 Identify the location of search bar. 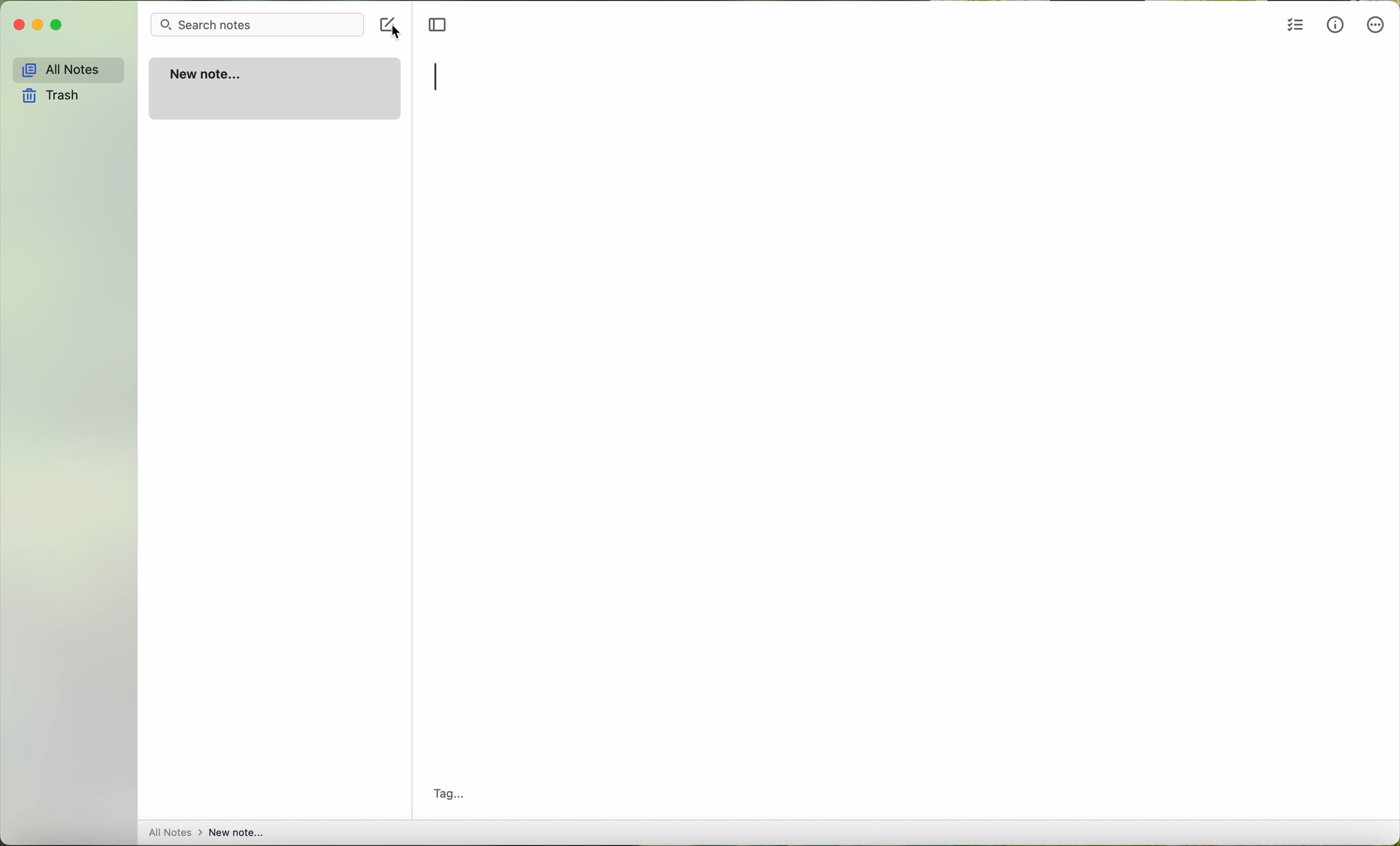
(256, 24).